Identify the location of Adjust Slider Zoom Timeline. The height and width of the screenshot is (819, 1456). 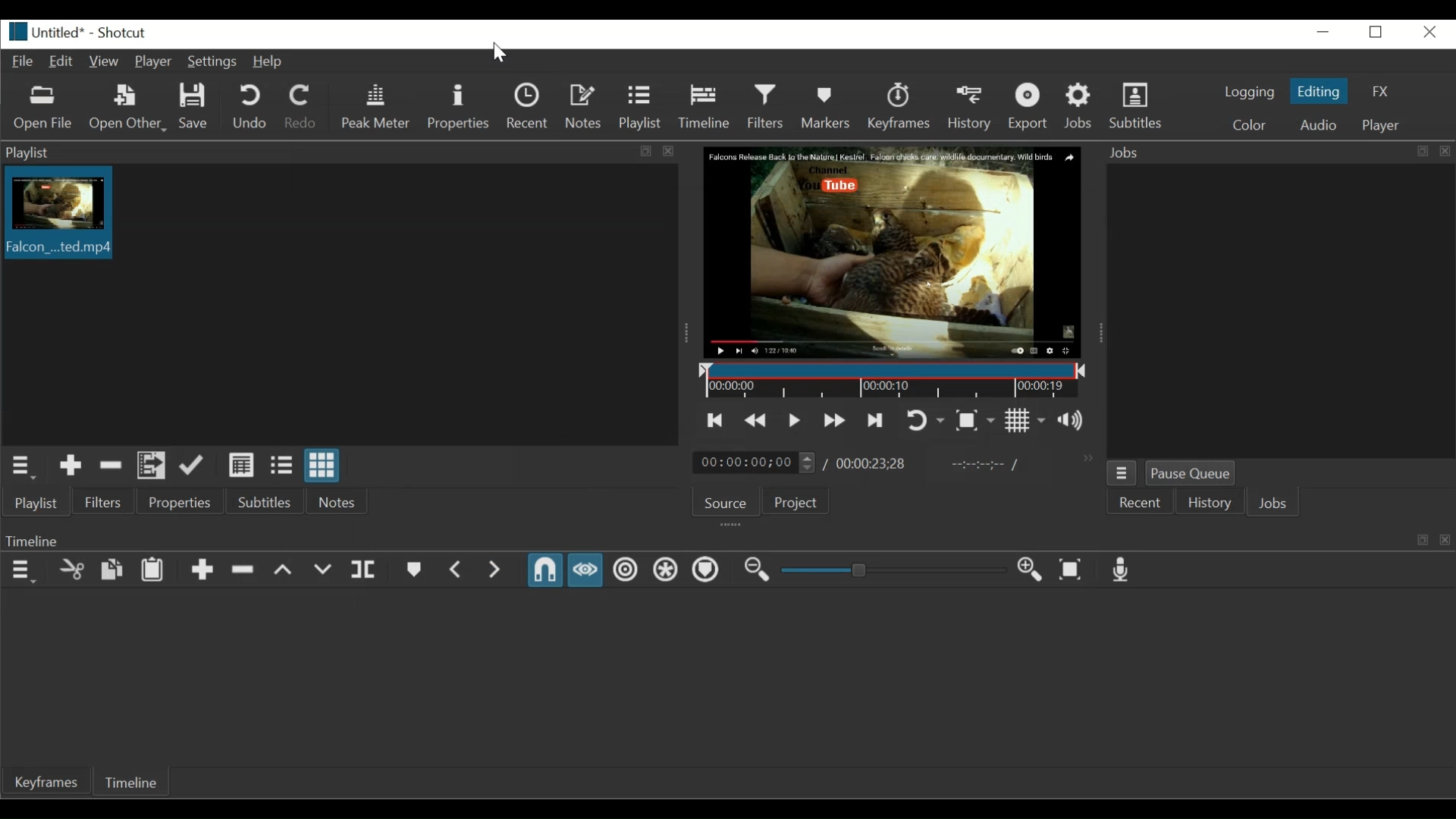
(893, 570).